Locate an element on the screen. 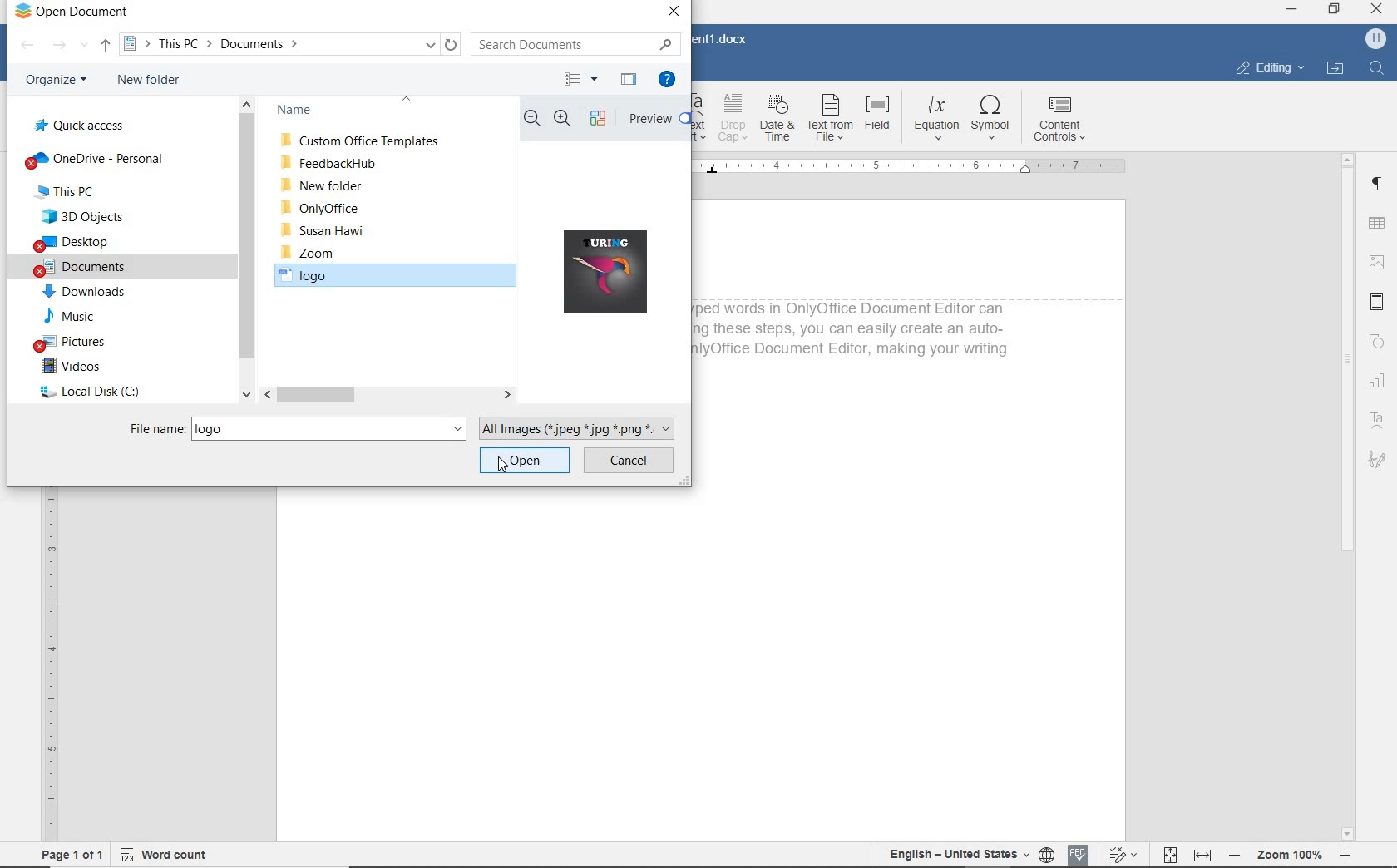 This screenshot has height=868, width=1397. THIS PC is located at coordinates (80, 191).